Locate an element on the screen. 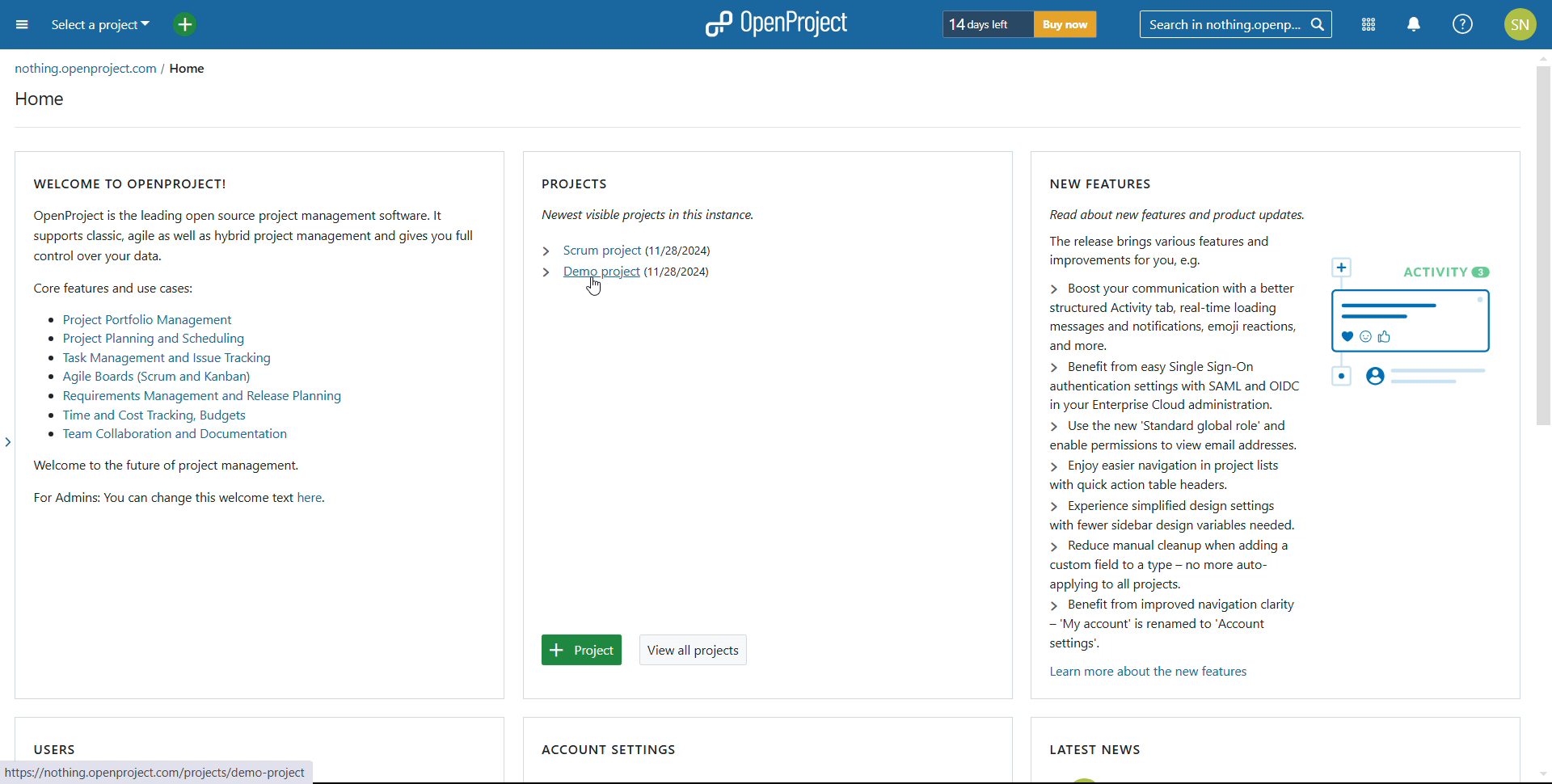  organization url is located at coordinates (82, 70).